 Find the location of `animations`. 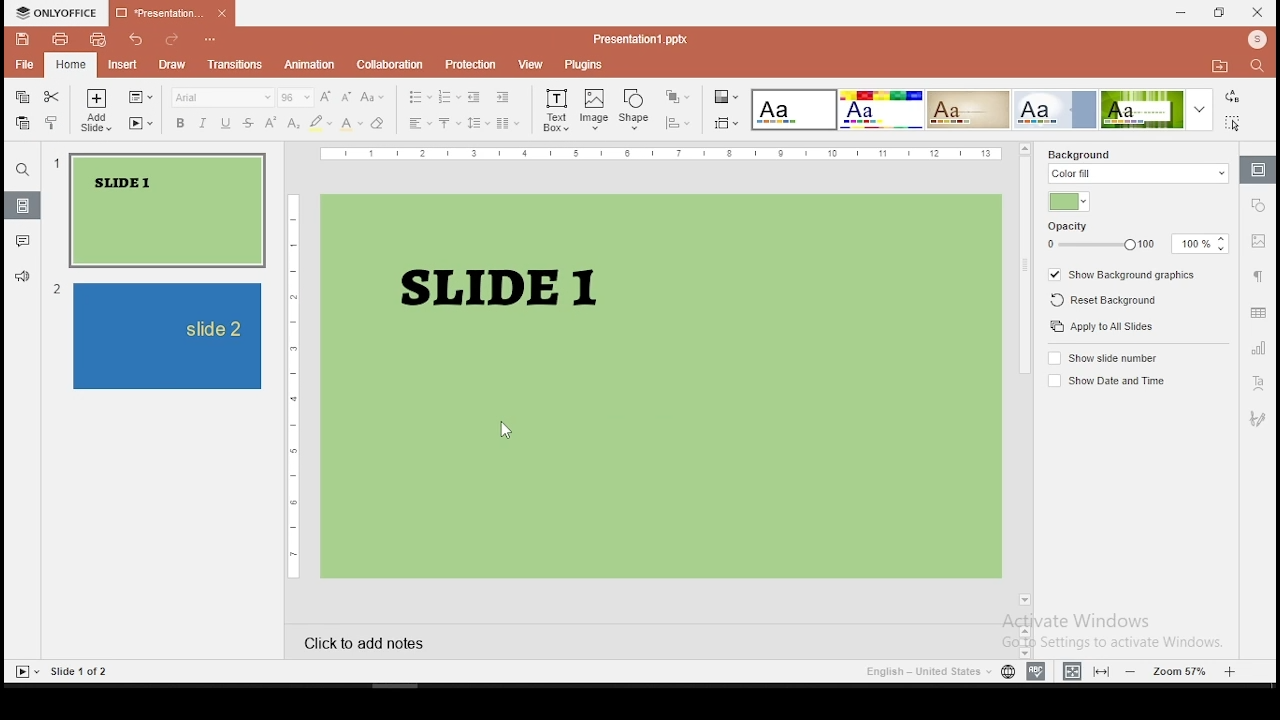

animations is located at coordinates (312, 64).